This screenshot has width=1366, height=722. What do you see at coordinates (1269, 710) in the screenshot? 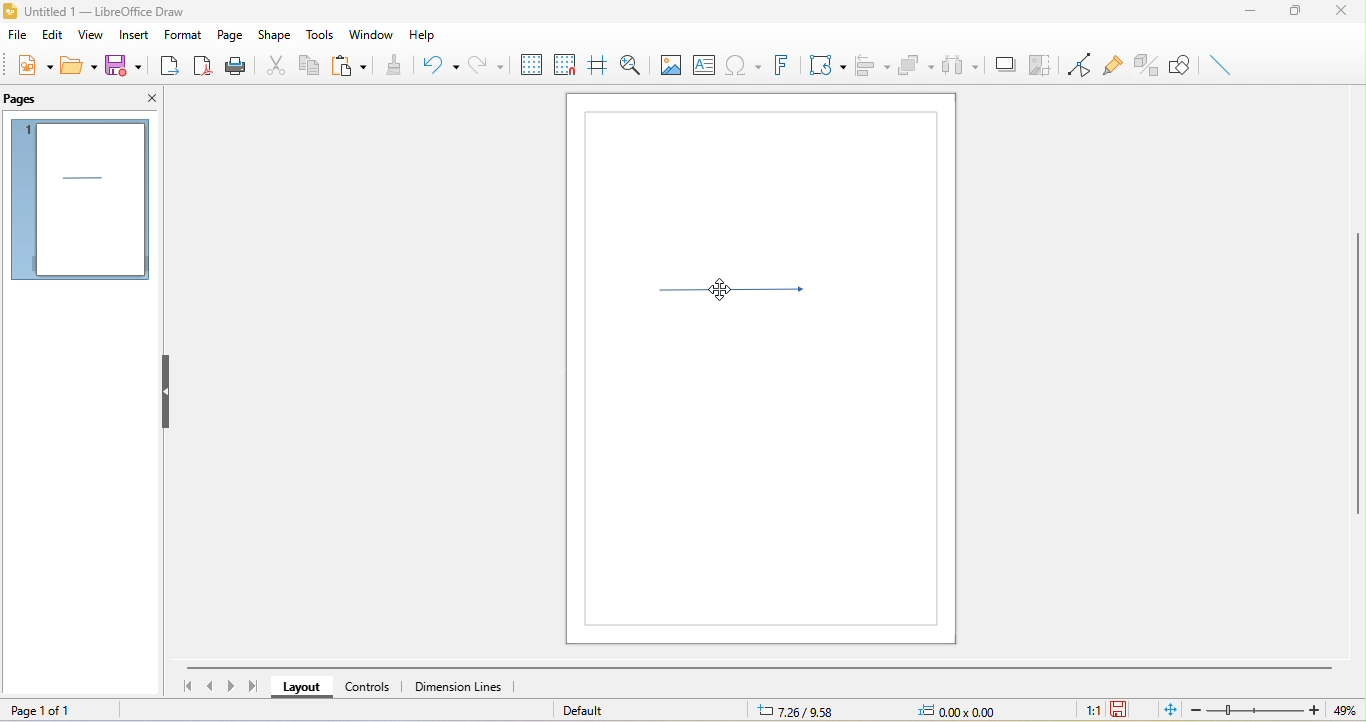
I see `zoom` at bounding box center [1269, 710].